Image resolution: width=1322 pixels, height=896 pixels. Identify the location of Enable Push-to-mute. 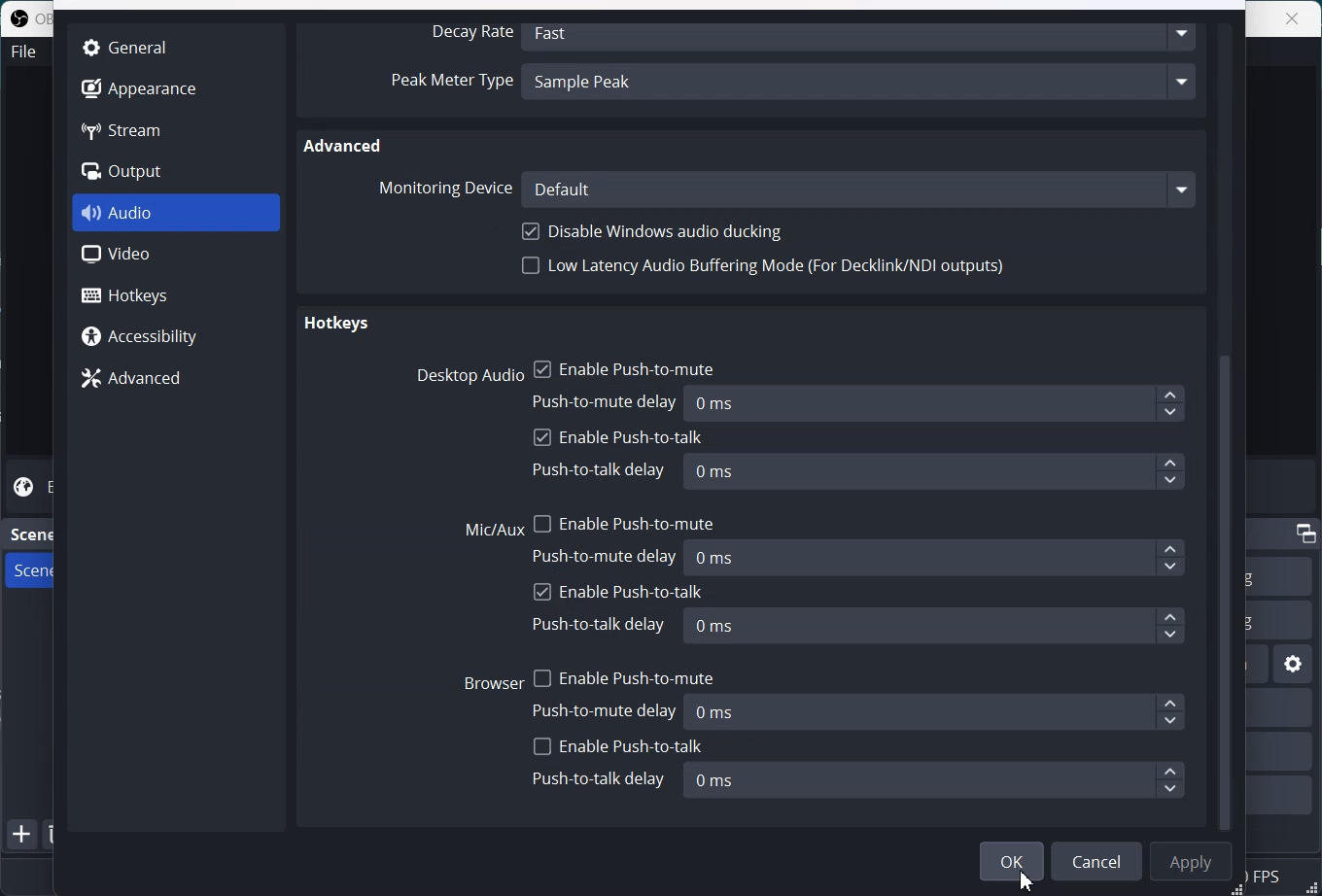
(623, 674).